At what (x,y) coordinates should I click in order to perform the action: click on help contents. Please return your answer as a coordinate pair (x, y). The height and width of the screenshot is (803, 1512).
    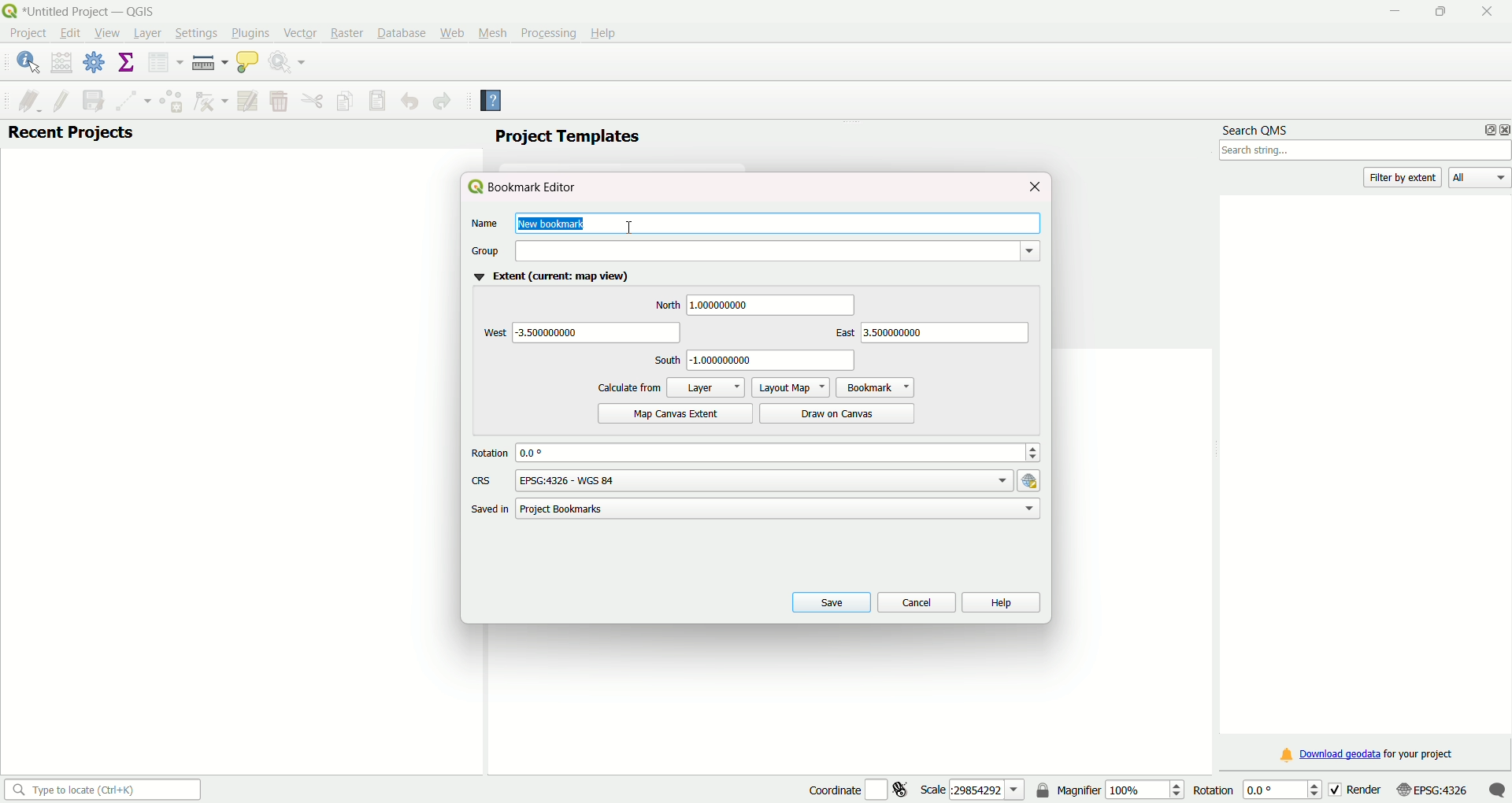
    Looking at the image, I should click on (492, 102).